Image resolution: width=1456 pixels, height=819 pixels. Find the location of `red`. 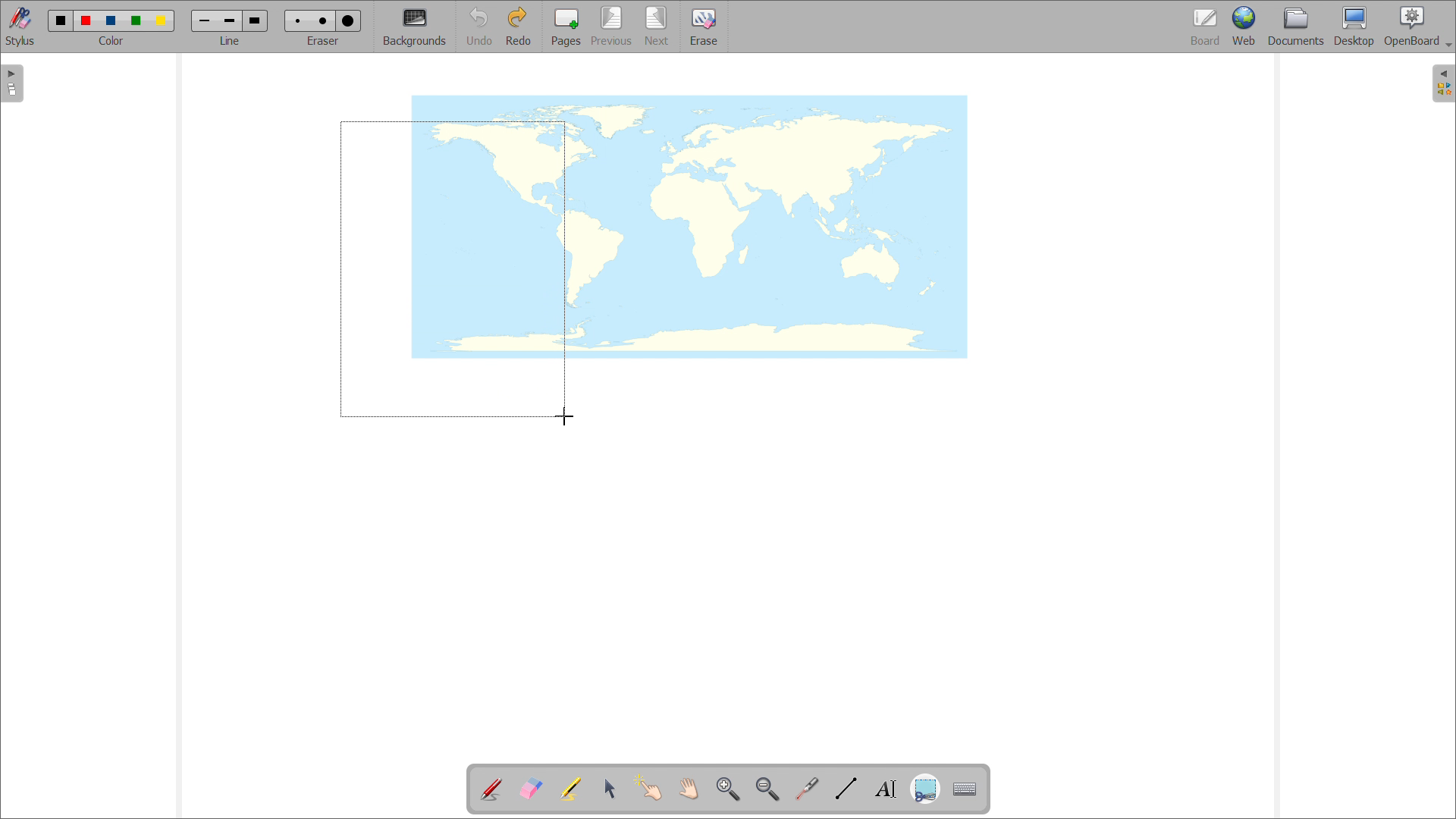

red is located at coordinates (86, 20).